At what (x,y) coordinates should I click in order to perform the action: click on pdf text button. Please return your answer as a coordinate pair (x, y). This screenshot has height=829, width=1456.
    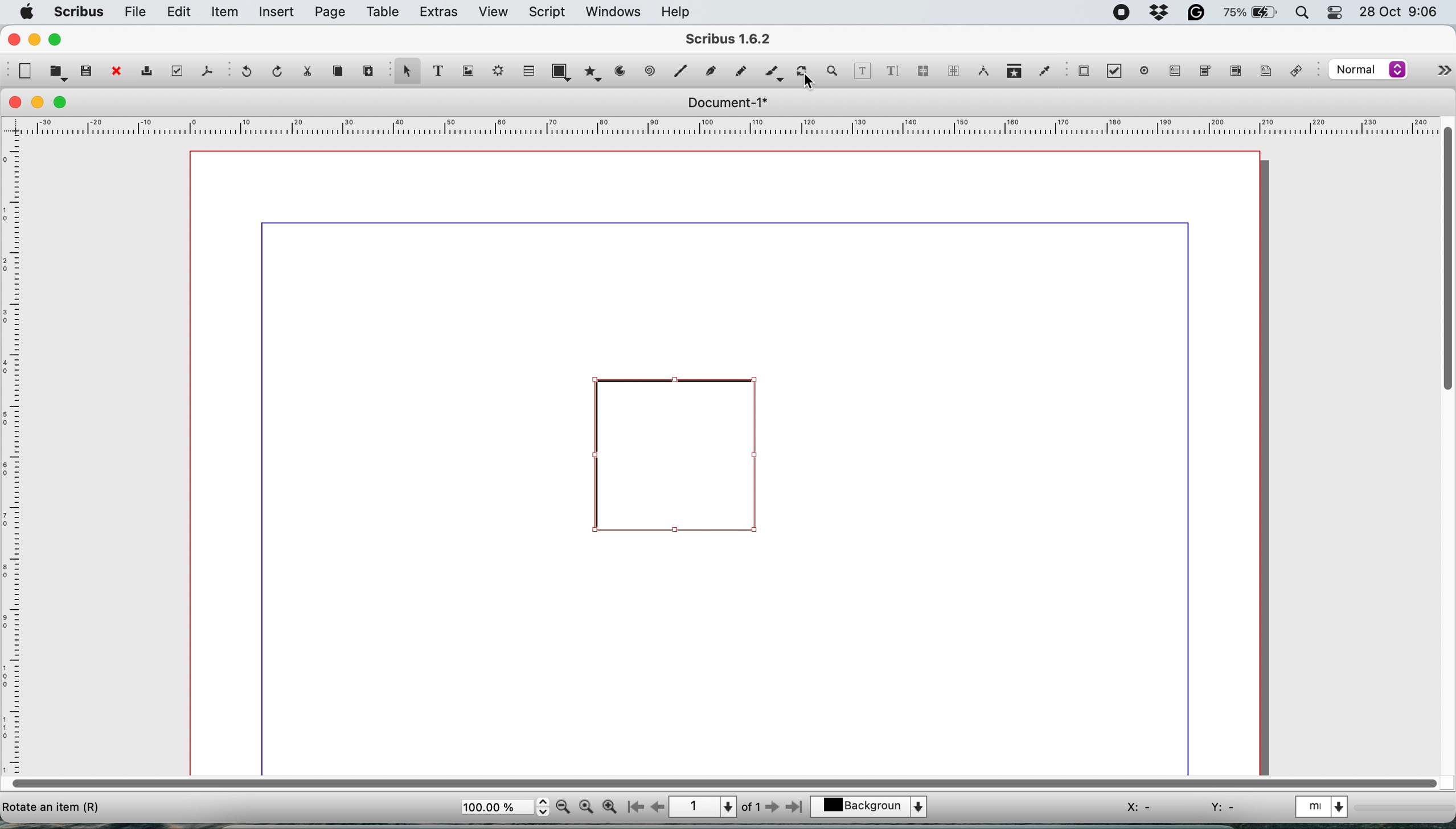
    Looking at the image, I should click on (1176, 71).